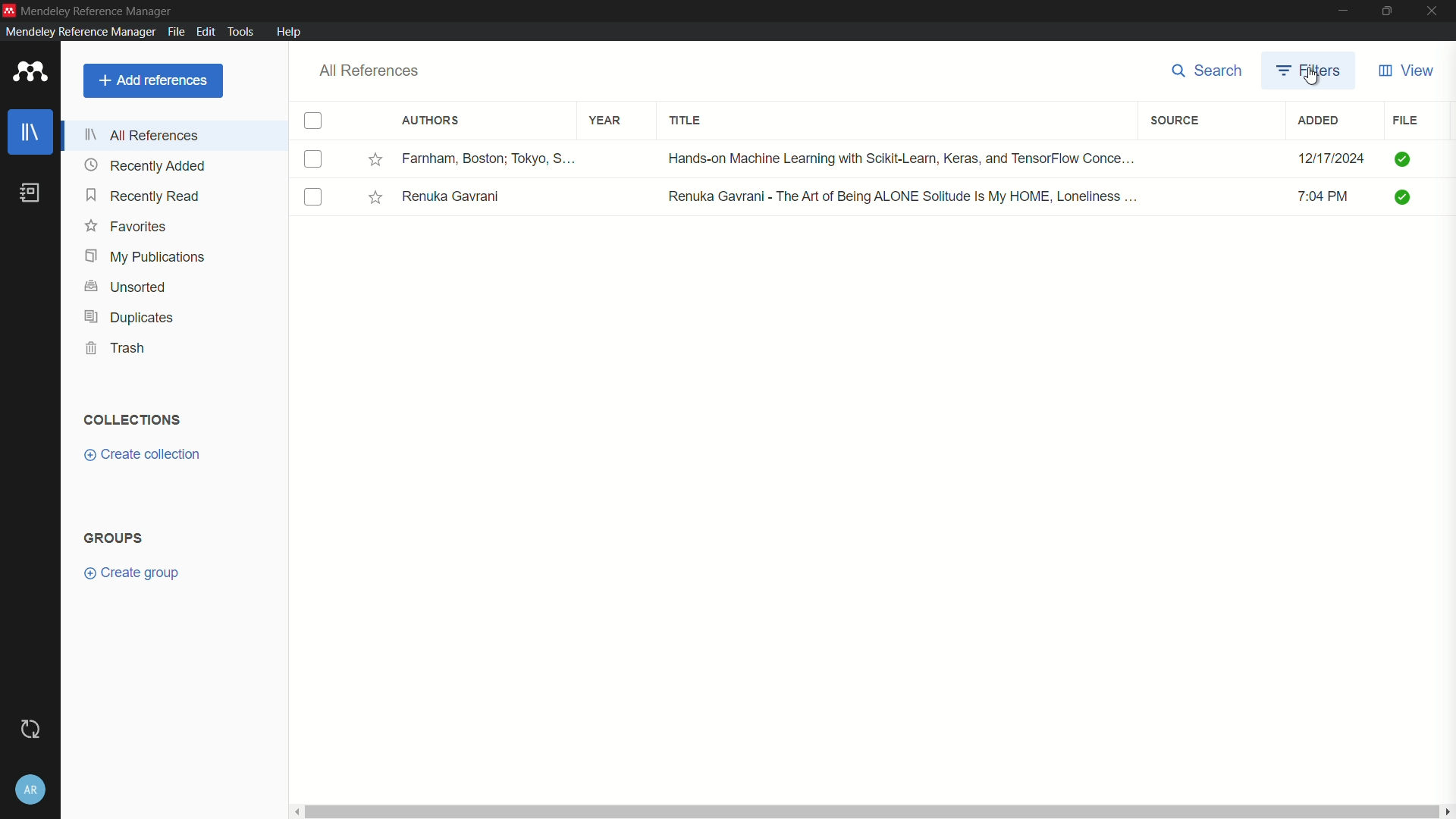 This screenshot has width=1456, height=819. I want to click on unsorted, so click(124, 287).